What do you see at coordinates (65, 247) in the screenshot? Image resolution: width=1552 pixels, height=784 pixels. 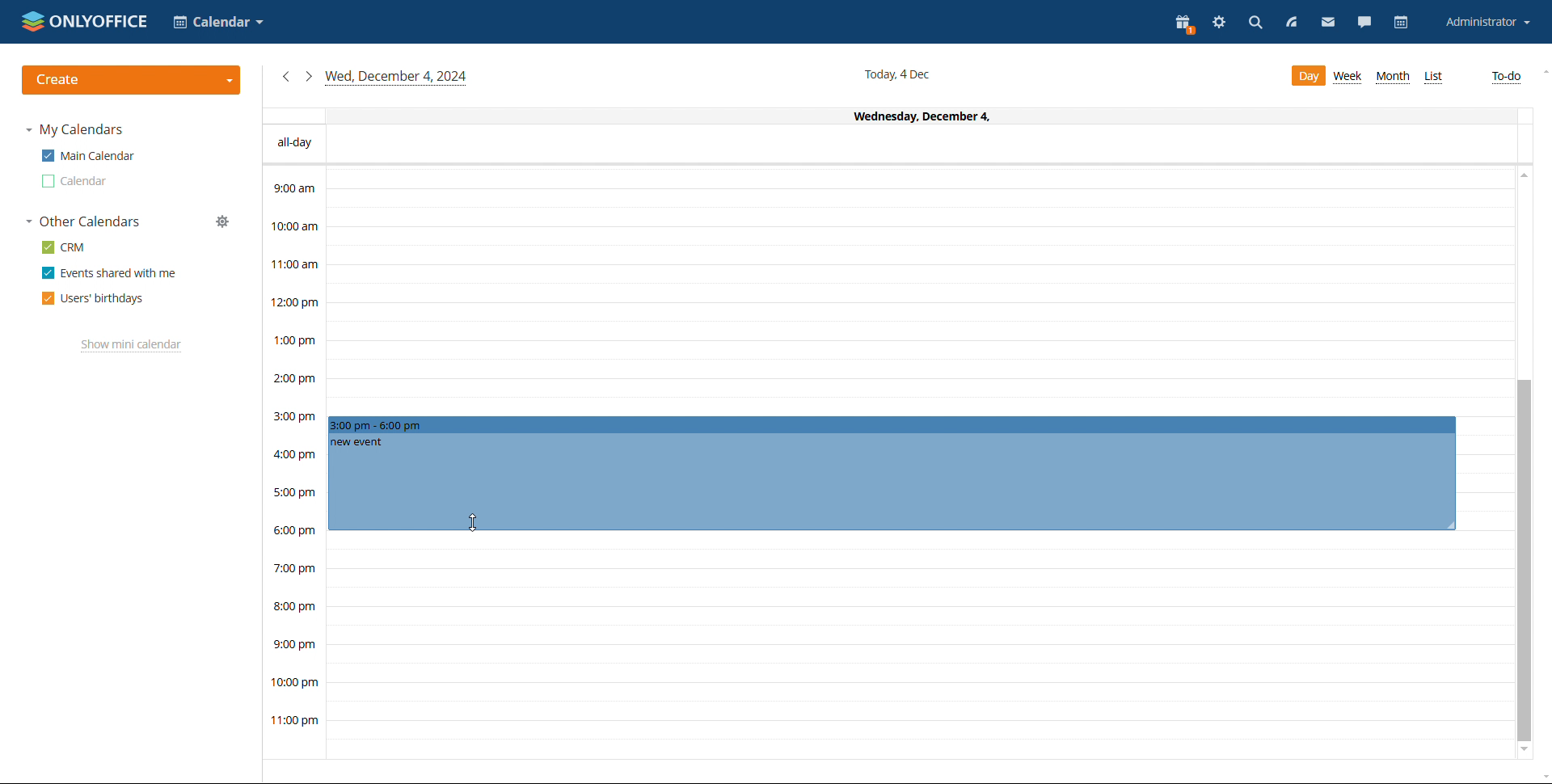 I see `crm` at bounding box center [65, 247].